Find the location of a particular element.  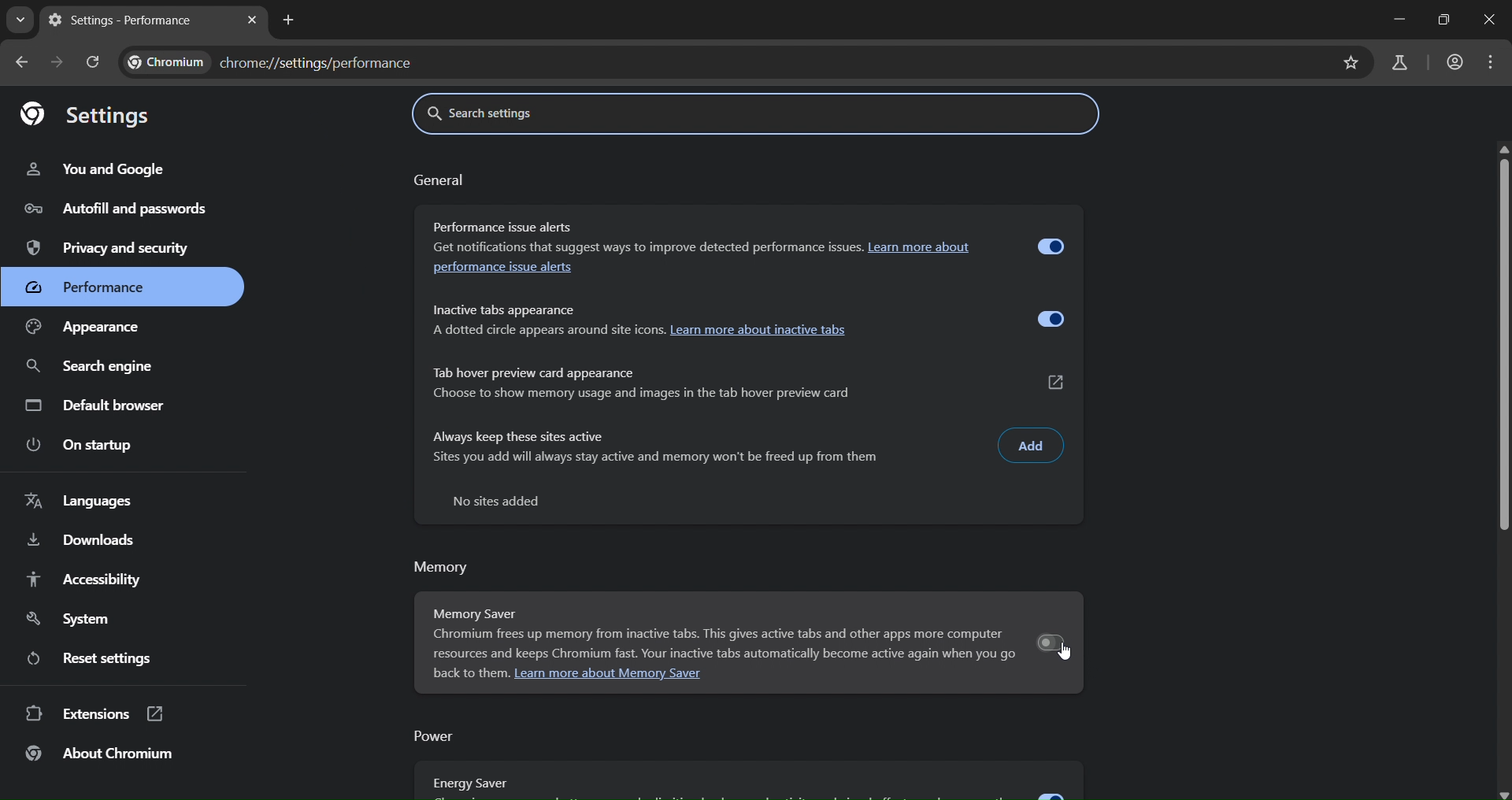

close tab is located at coordinates (256, 20).